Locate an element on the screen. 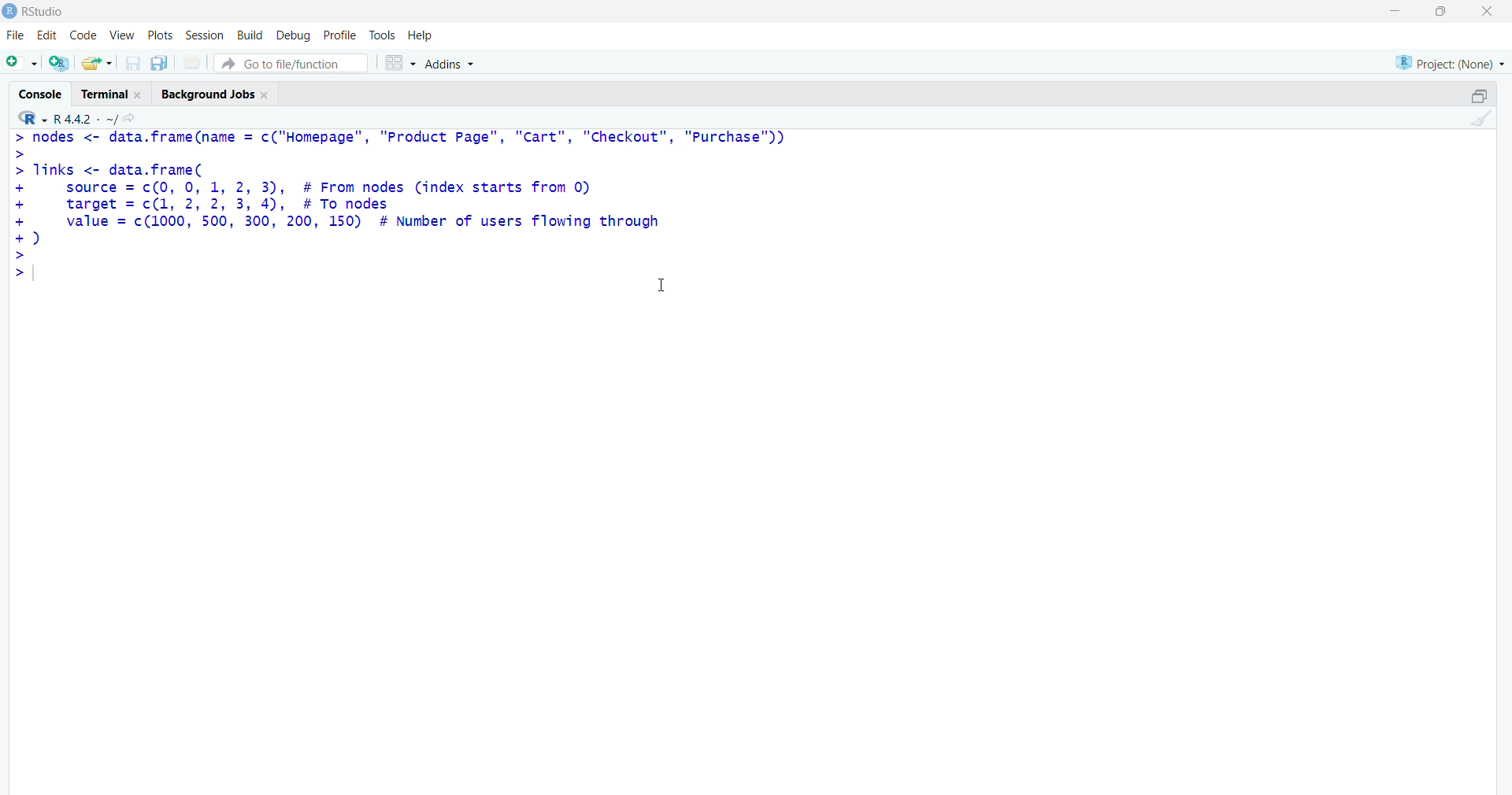  profile is located at coordinates (339, 34).